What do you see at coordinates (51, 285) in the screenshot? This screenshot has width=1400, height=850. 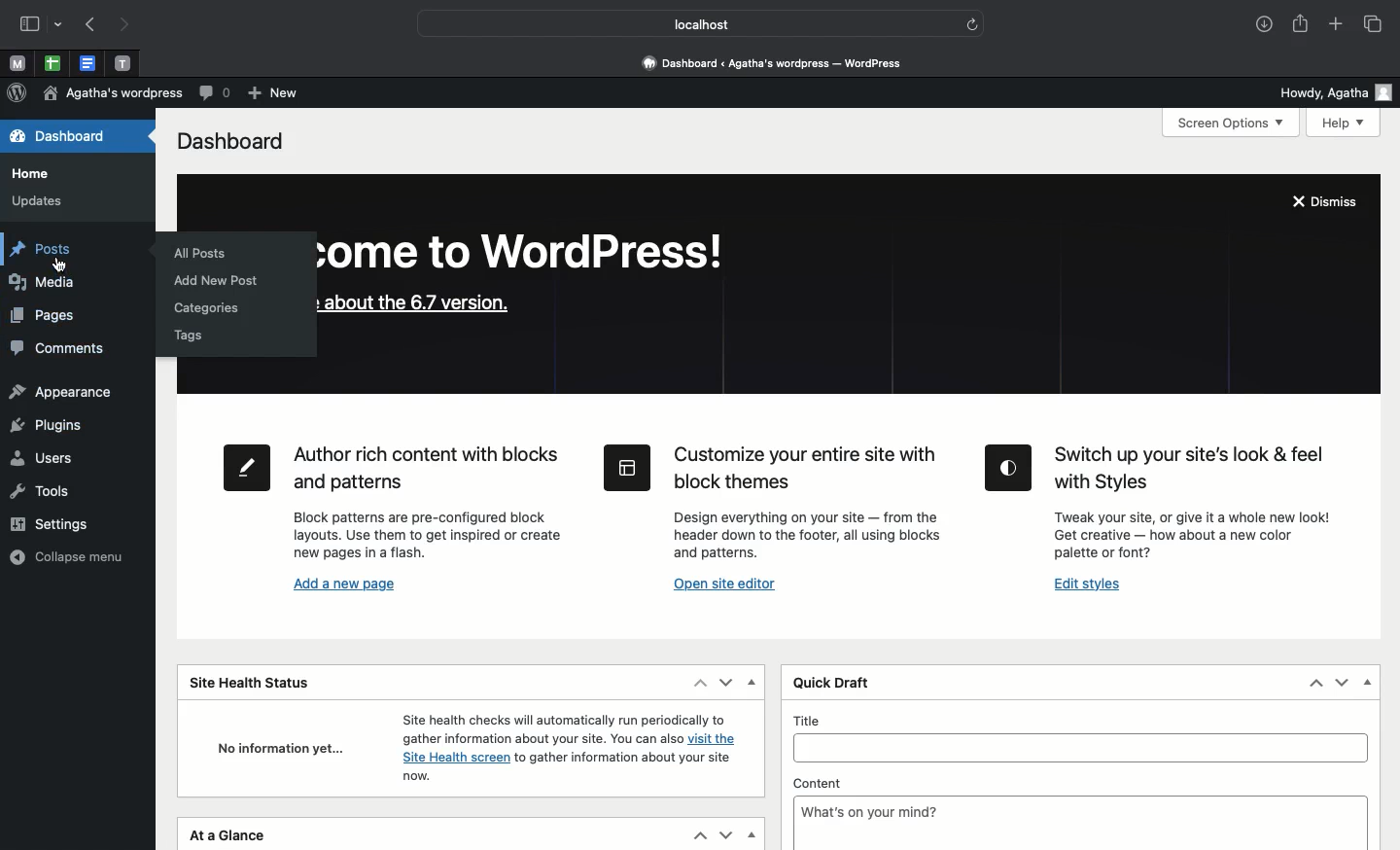 I see `Media` at bounding box center [51, 285].